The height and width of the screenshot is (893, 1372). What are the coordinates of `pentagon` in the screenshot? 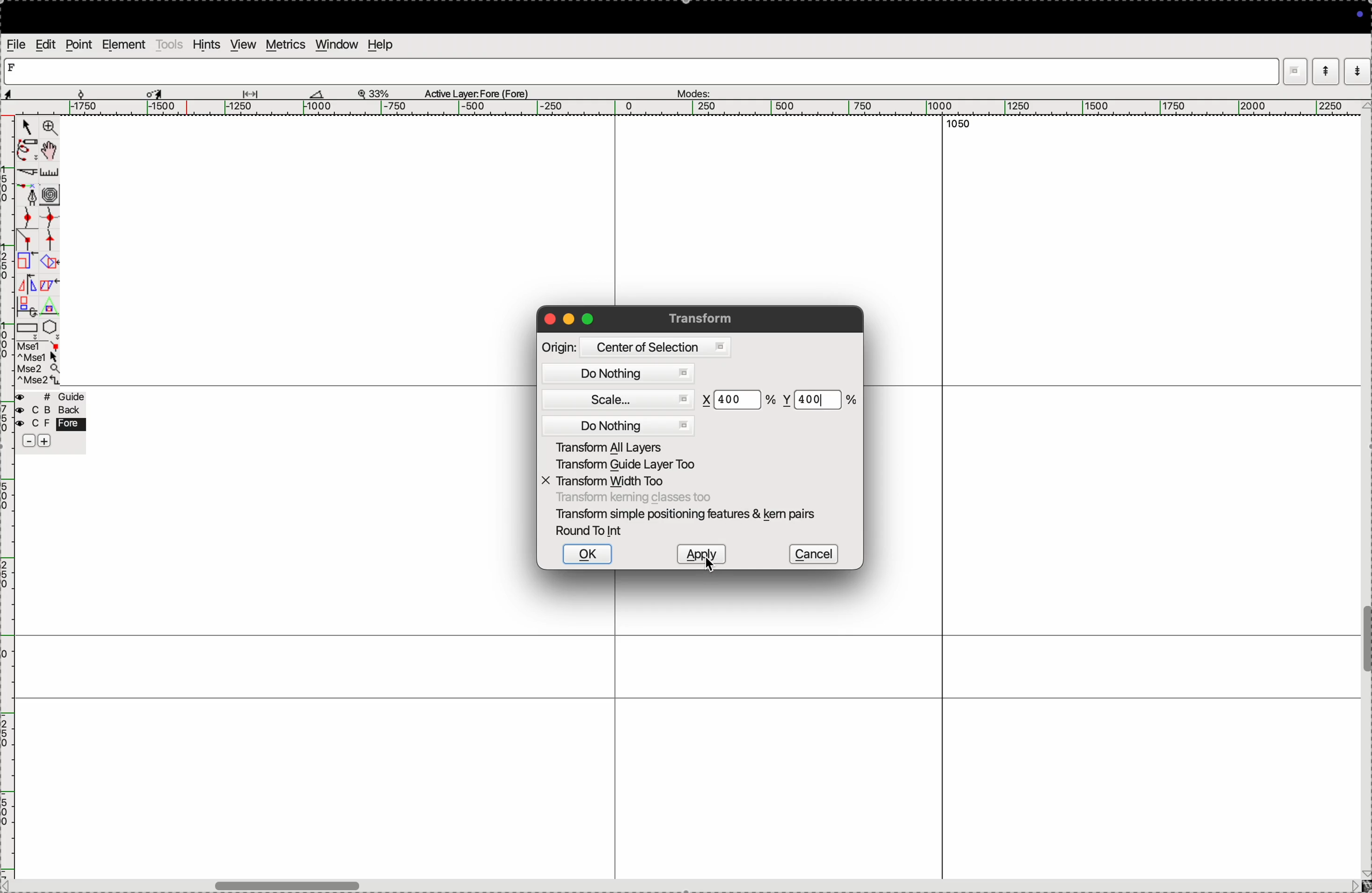 It's located at (50, 327).